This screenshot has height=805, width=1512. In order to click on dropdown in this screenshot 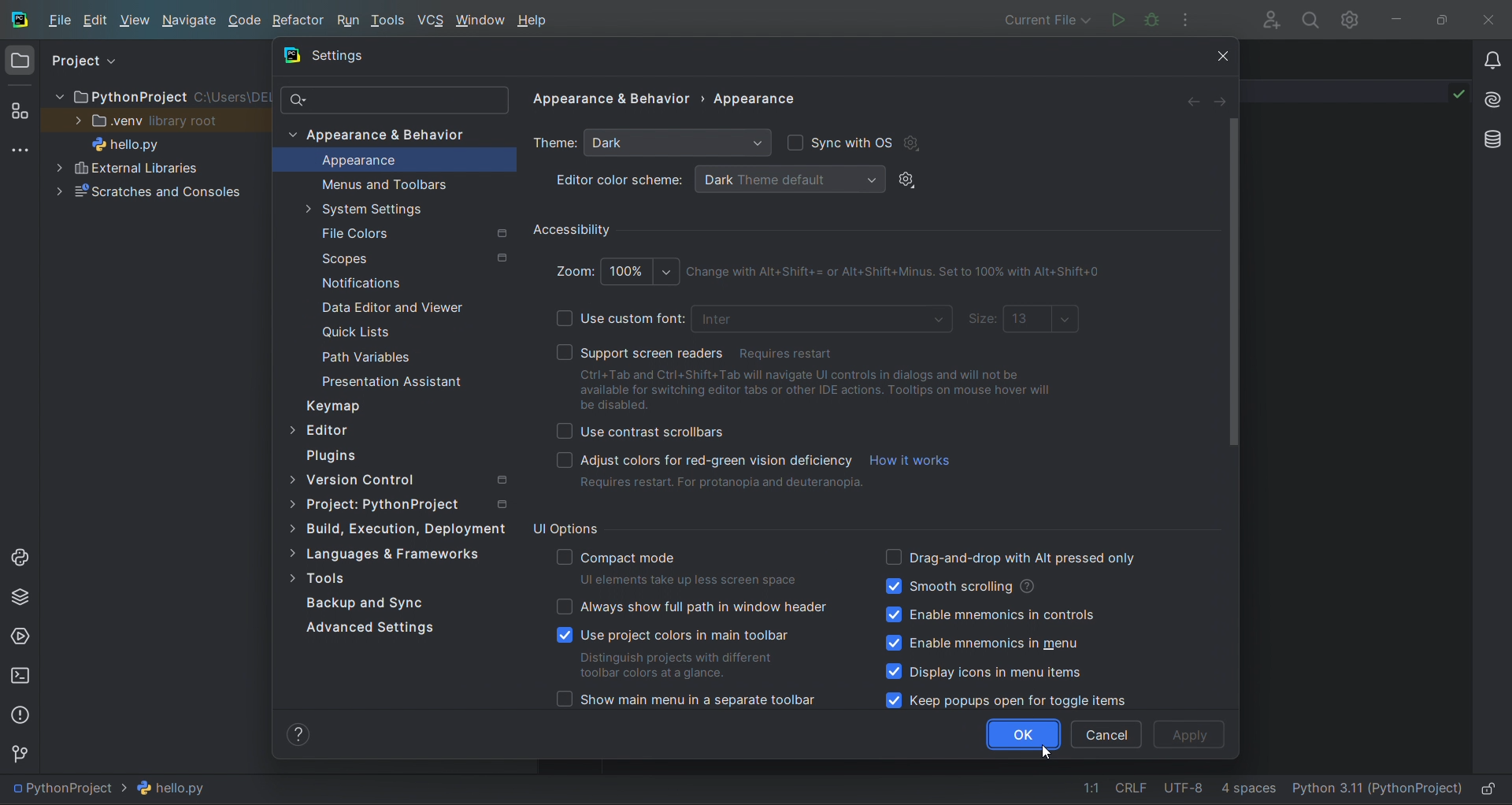, I will do `click(679, 141)`.